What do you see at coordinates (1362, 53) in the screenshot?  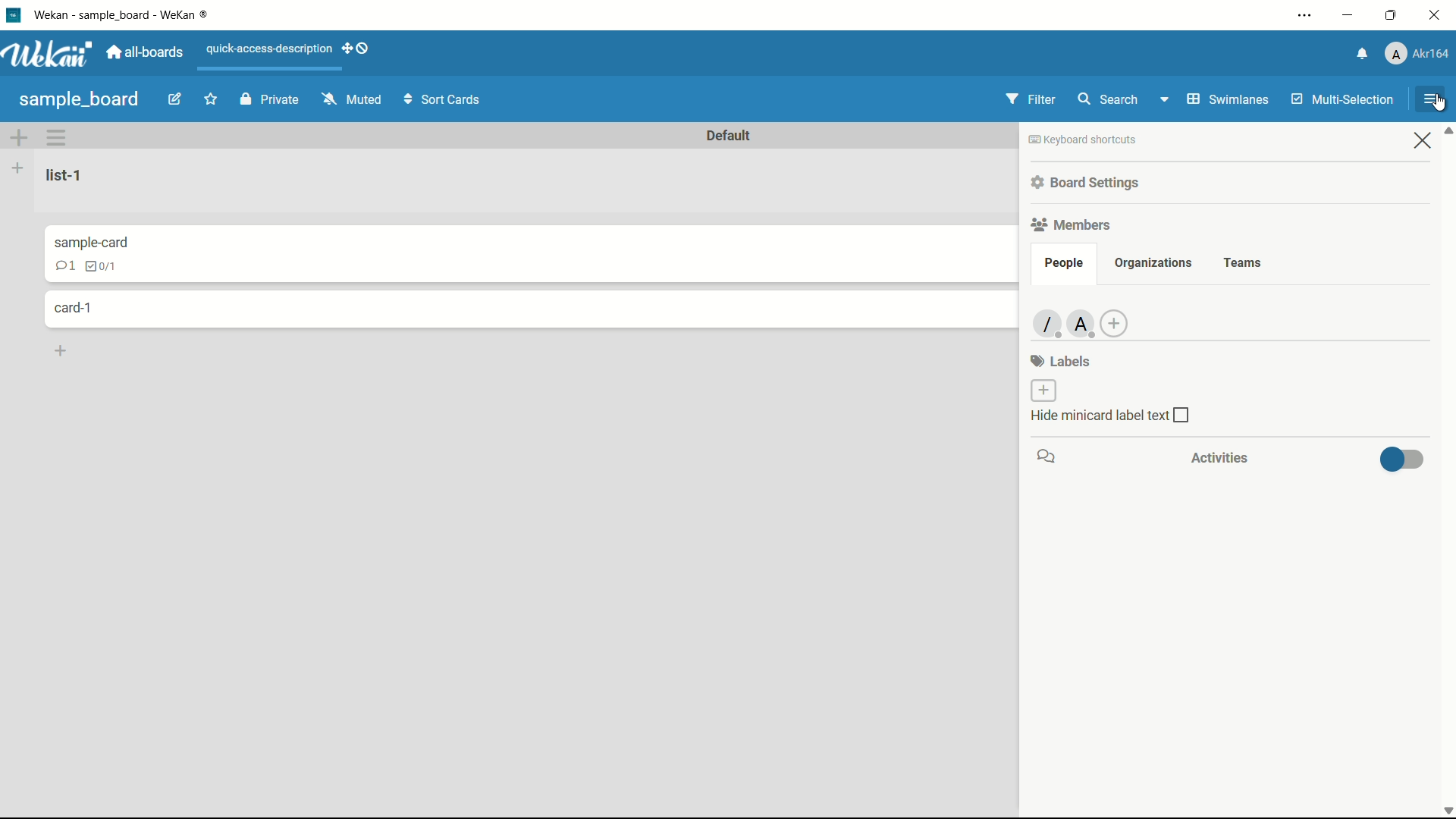 I see `notifications` at bounding box center [1362, 53].